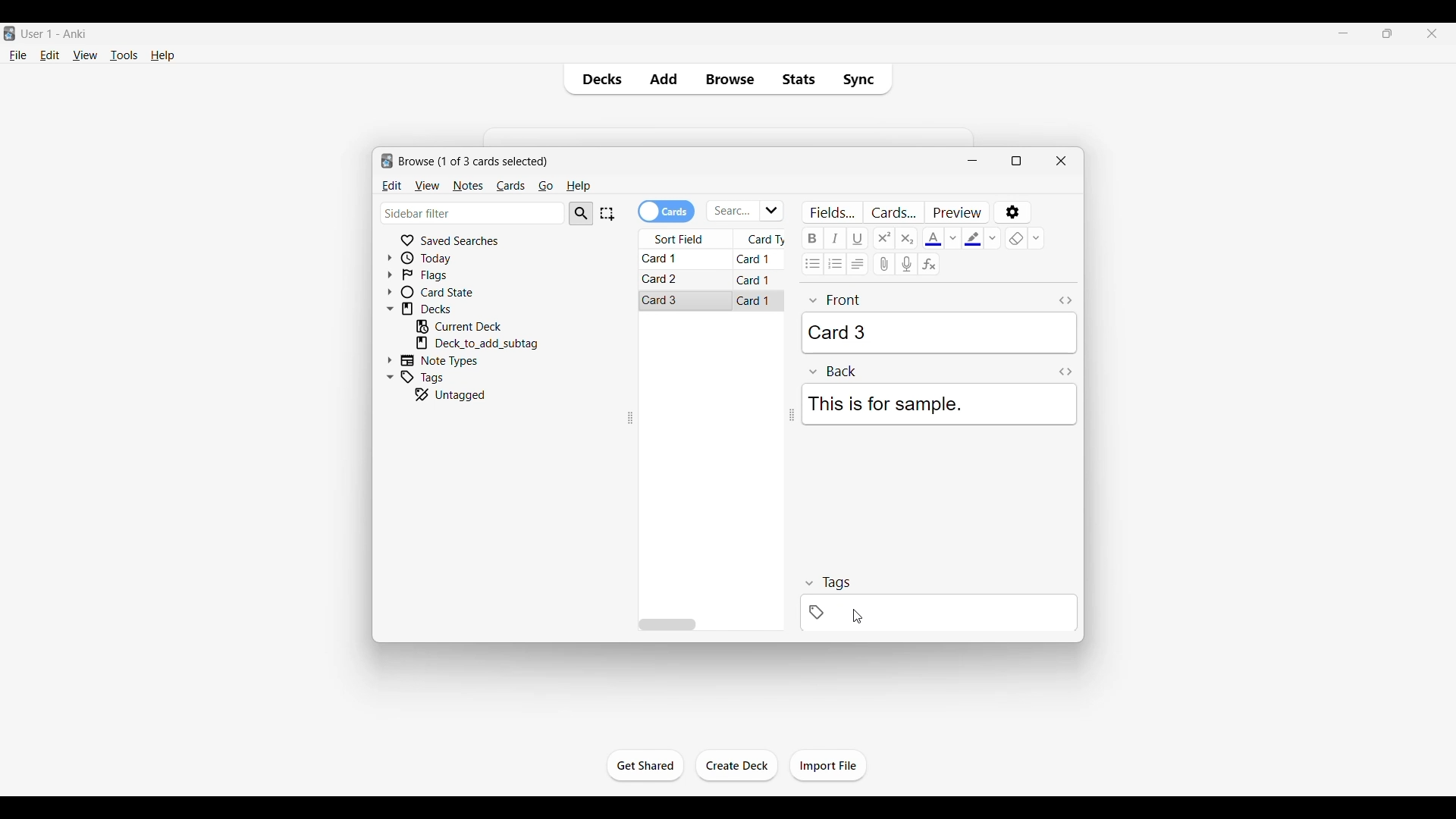 The image size is (1456, 819). Describe the element at coordinates (663, 79) in the screenshot. I see `Add` at that location.